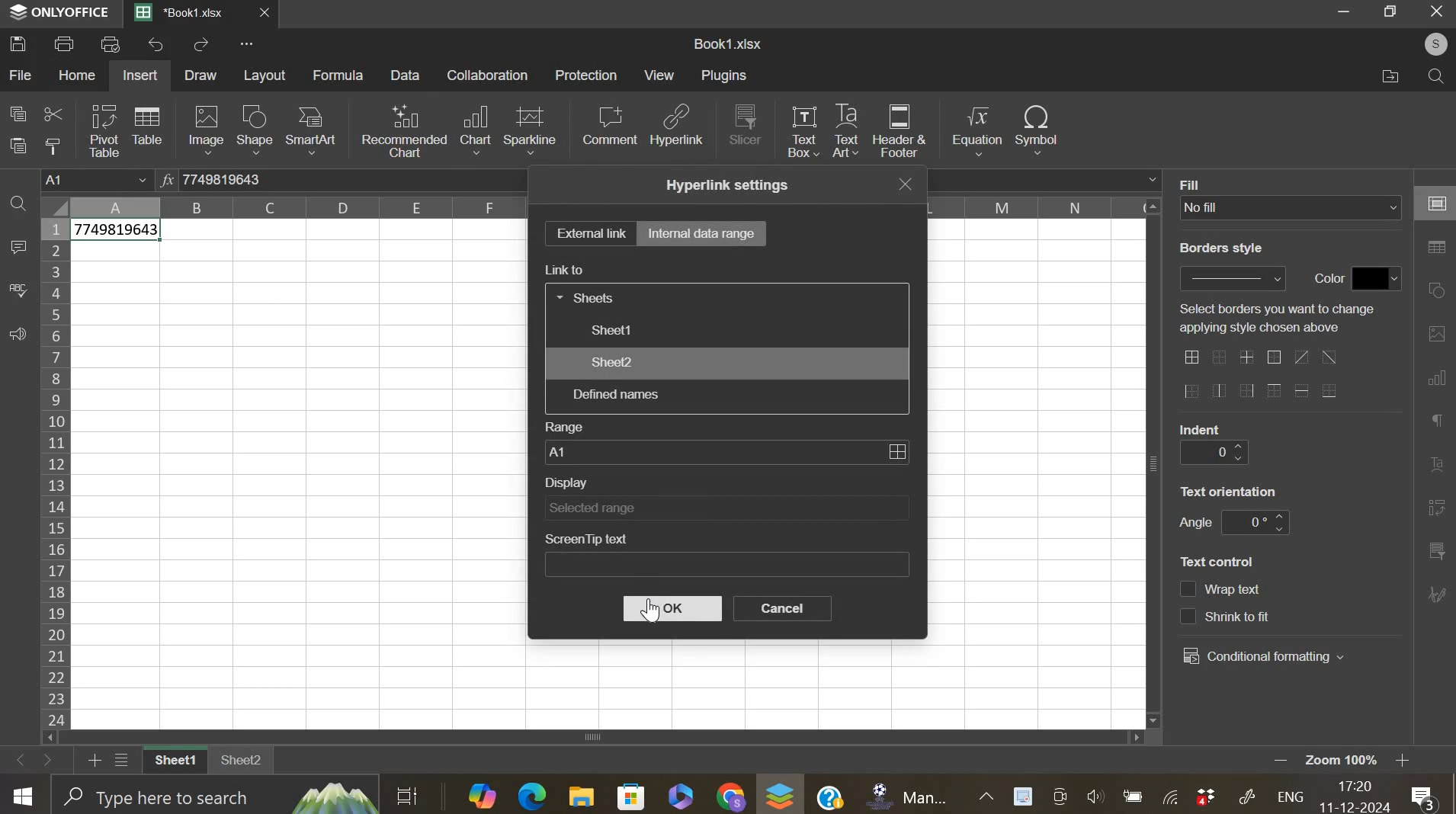 Image resolution: width=1456 pixels, height=814 pixels. Describe the element at coordinates (569, 269) in the screenshot. I see `Link to` at that location.